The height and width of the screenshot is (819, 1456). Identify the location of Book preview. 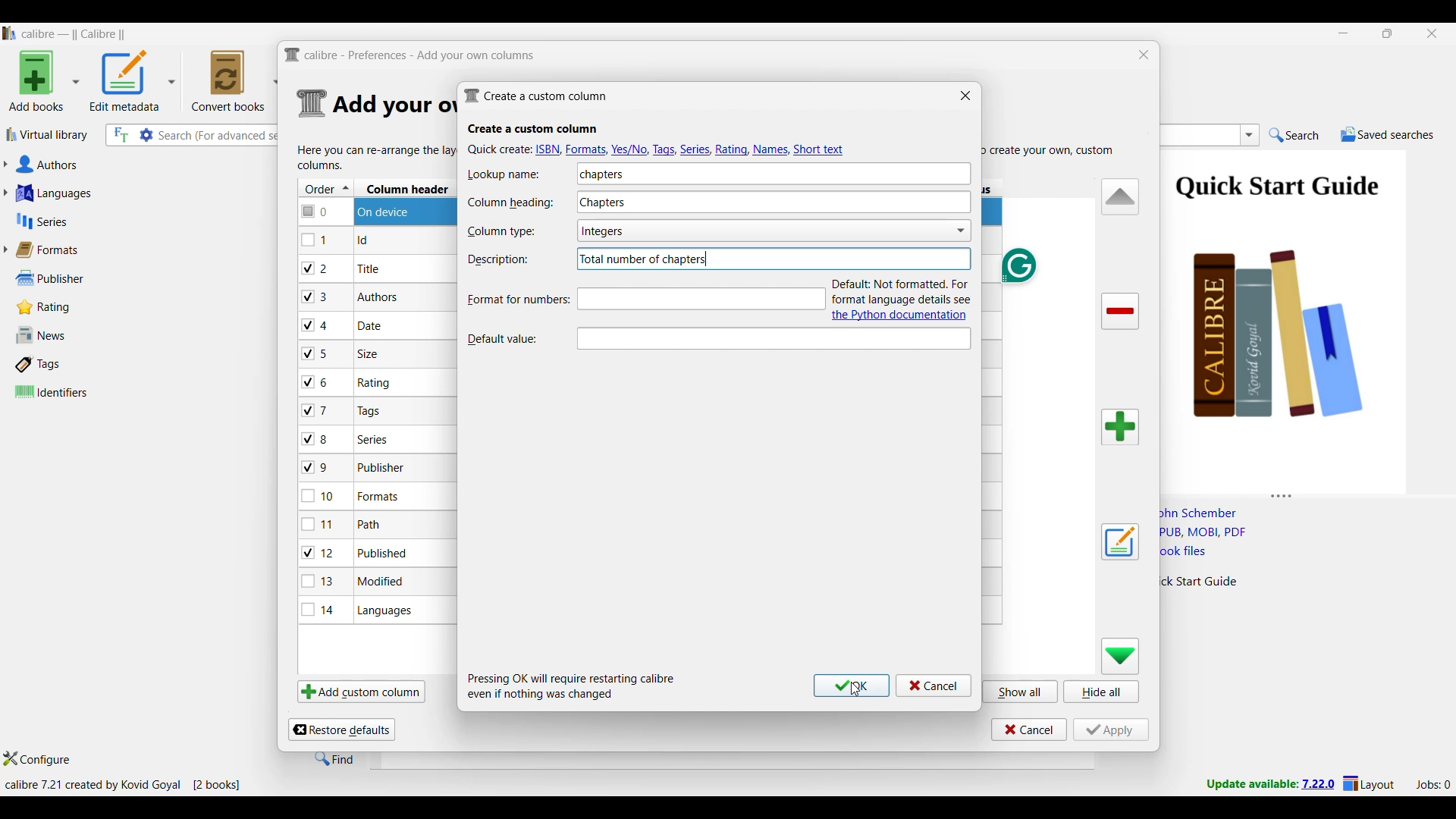
(1303, 316).